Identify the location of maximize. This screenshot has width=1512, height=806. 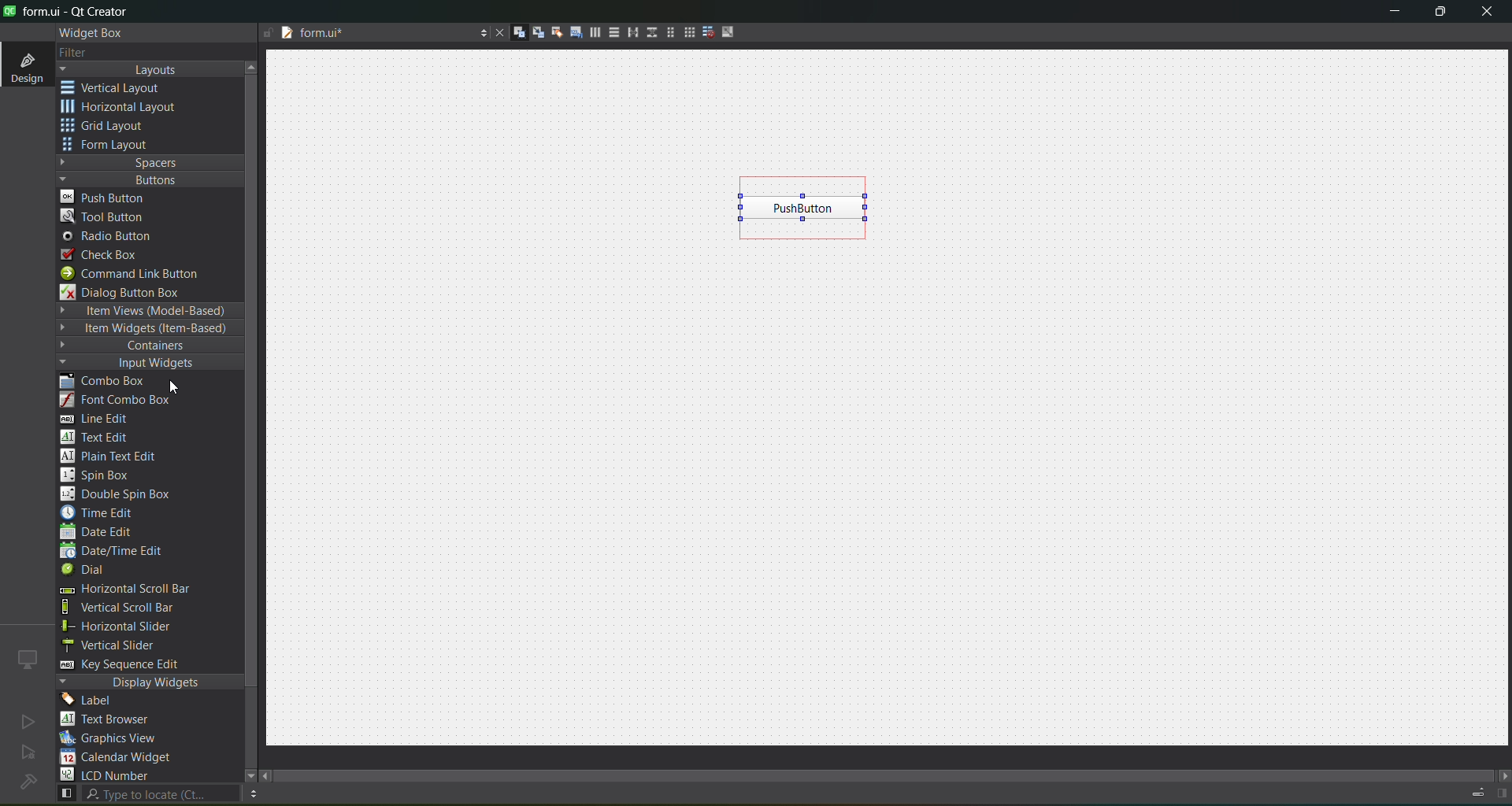
(1441, 14).